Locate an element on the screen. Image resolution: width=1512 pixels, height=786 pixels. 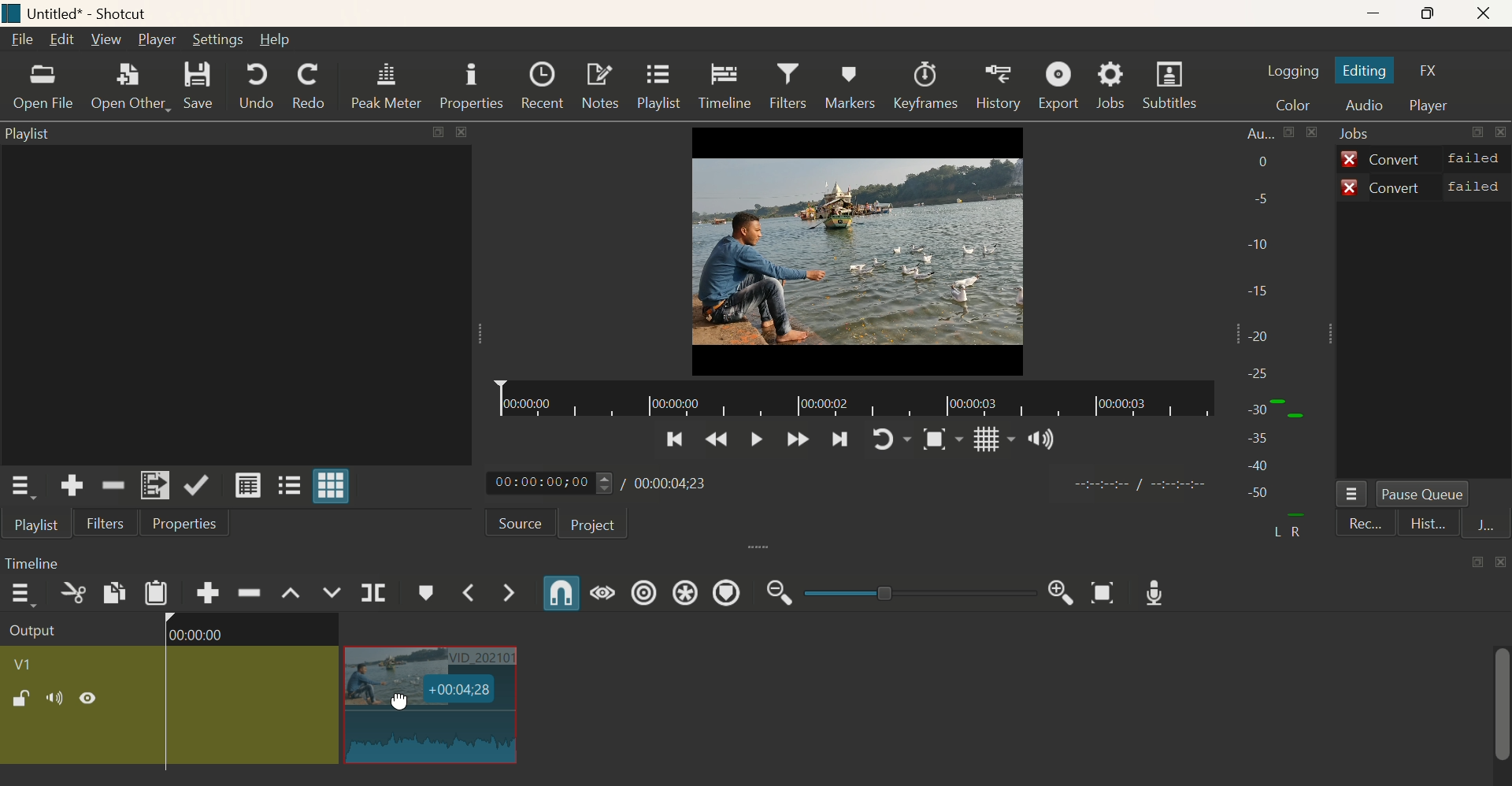
Playlist Menu is located at coordinates (27, 489).